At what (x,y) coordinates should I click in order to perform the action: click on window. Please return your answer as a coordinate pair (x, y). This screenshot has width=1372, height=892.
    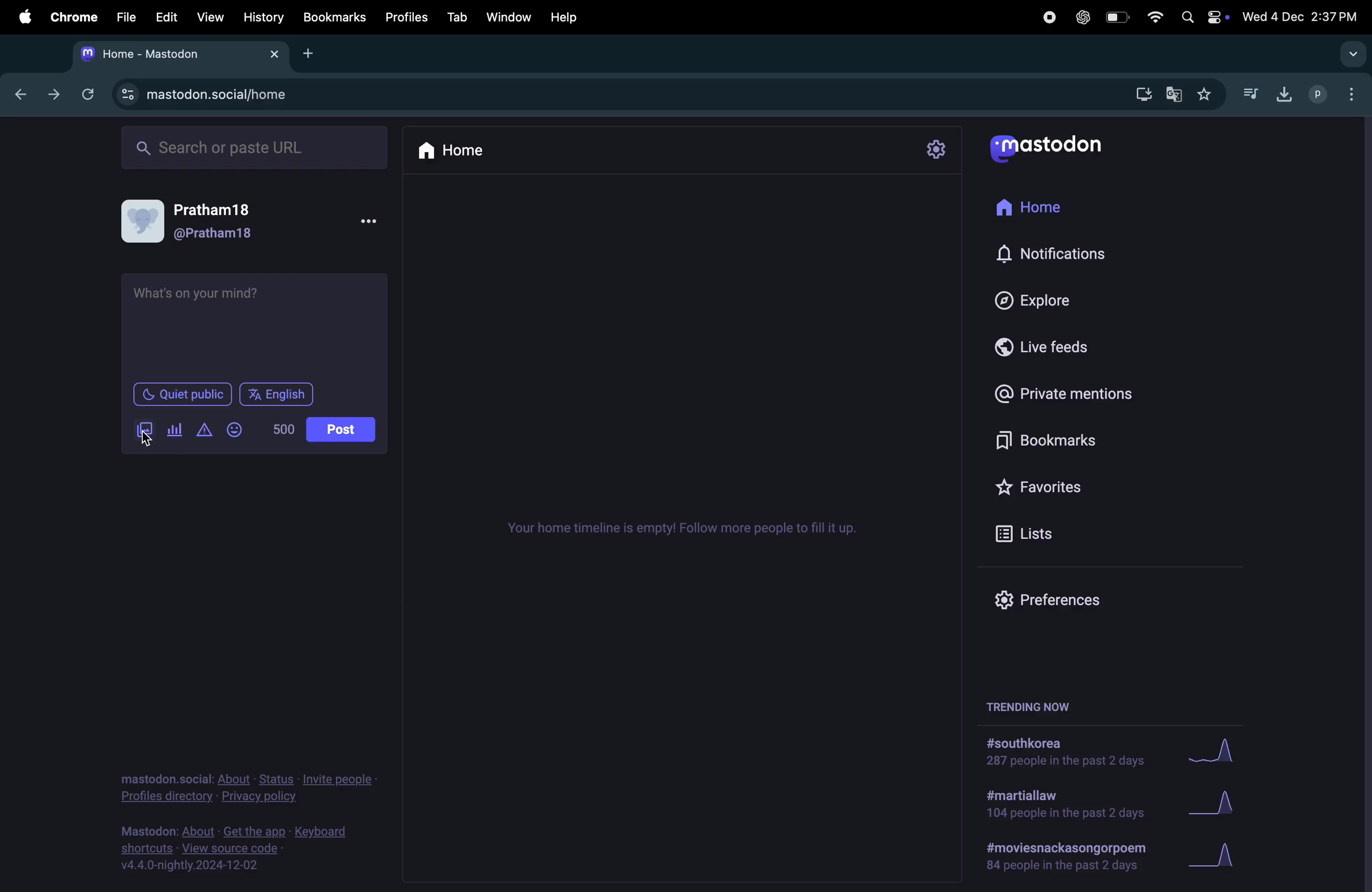
    Looking at the image, I should click on (510, 16).